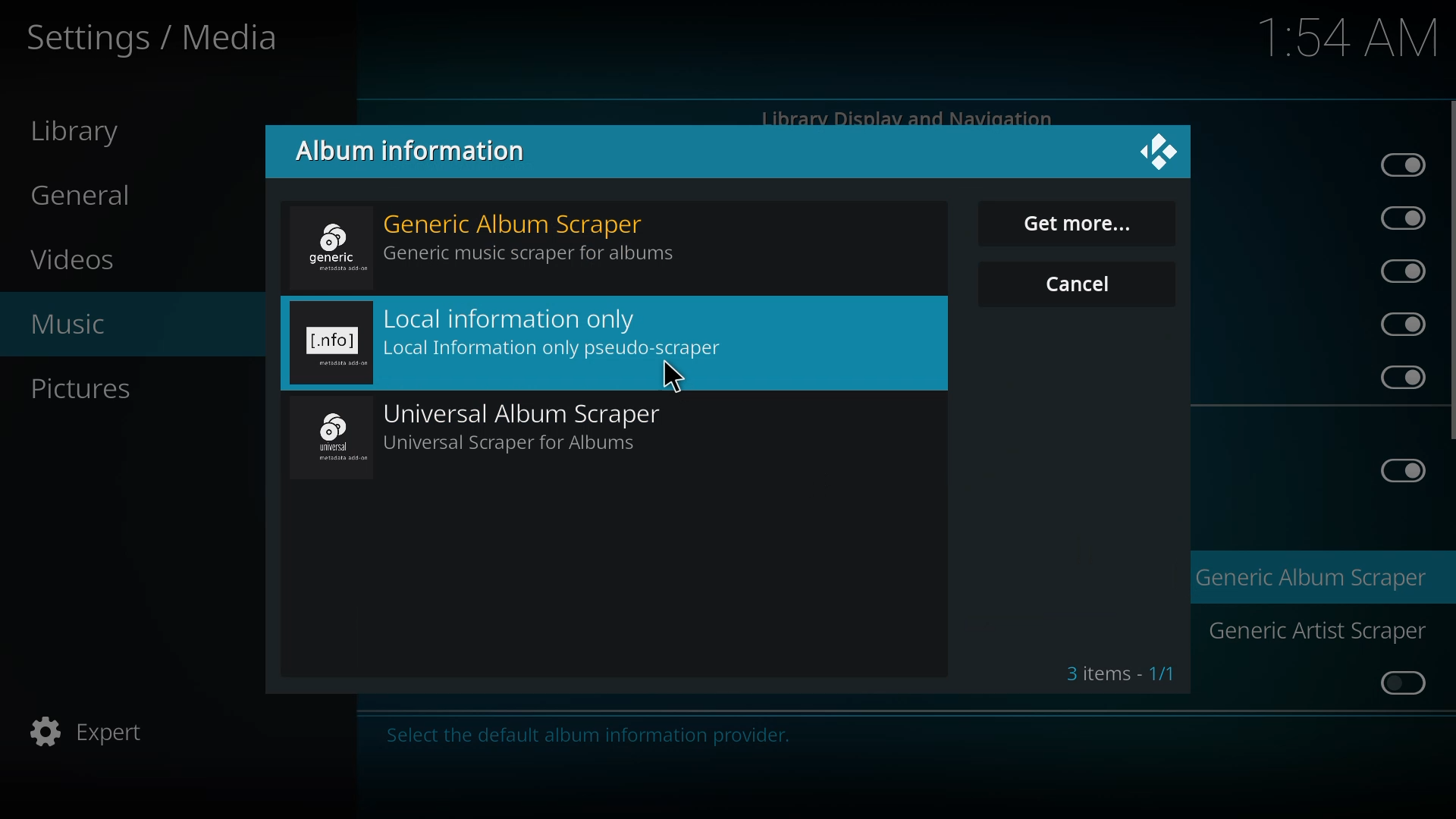 This screenshot has height=819, width=1456. Describe the element at coordinates (1081, 226) in the screenshot. I see `get more` at that location.